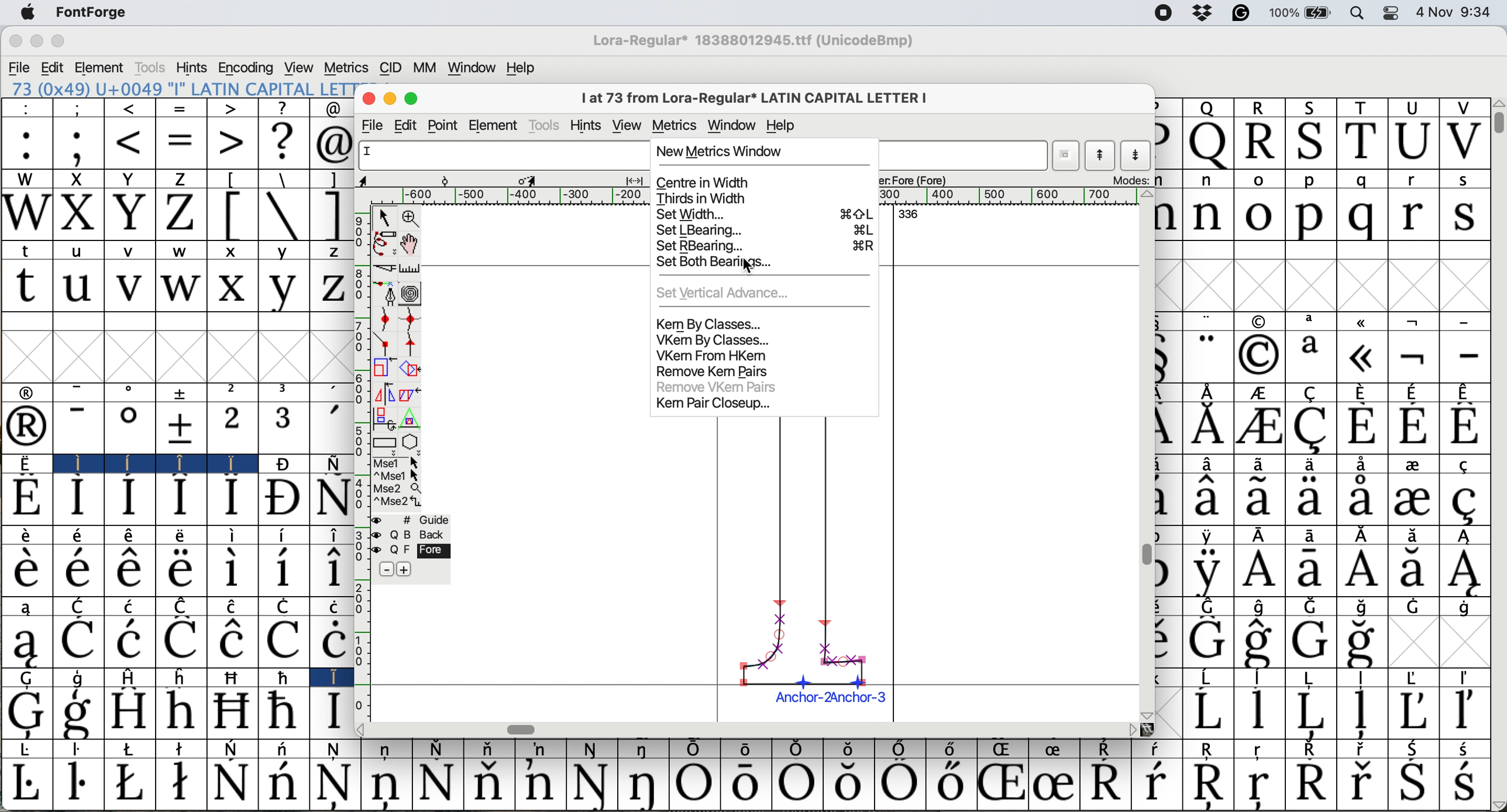 This screenshot has width=1507, height=812. I want to click on maximise, so click(411, 98).